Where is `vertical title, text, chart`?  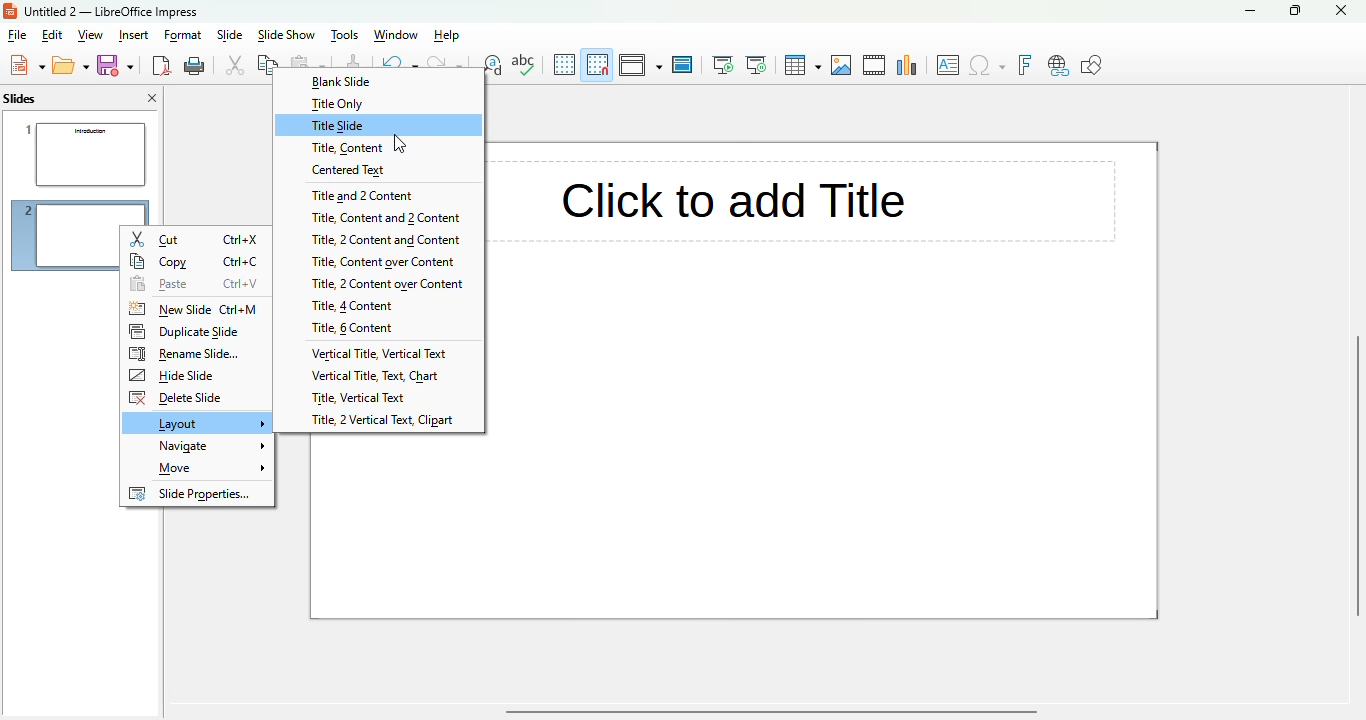 vertical title, text, chart is located at coordinates (377, 375).